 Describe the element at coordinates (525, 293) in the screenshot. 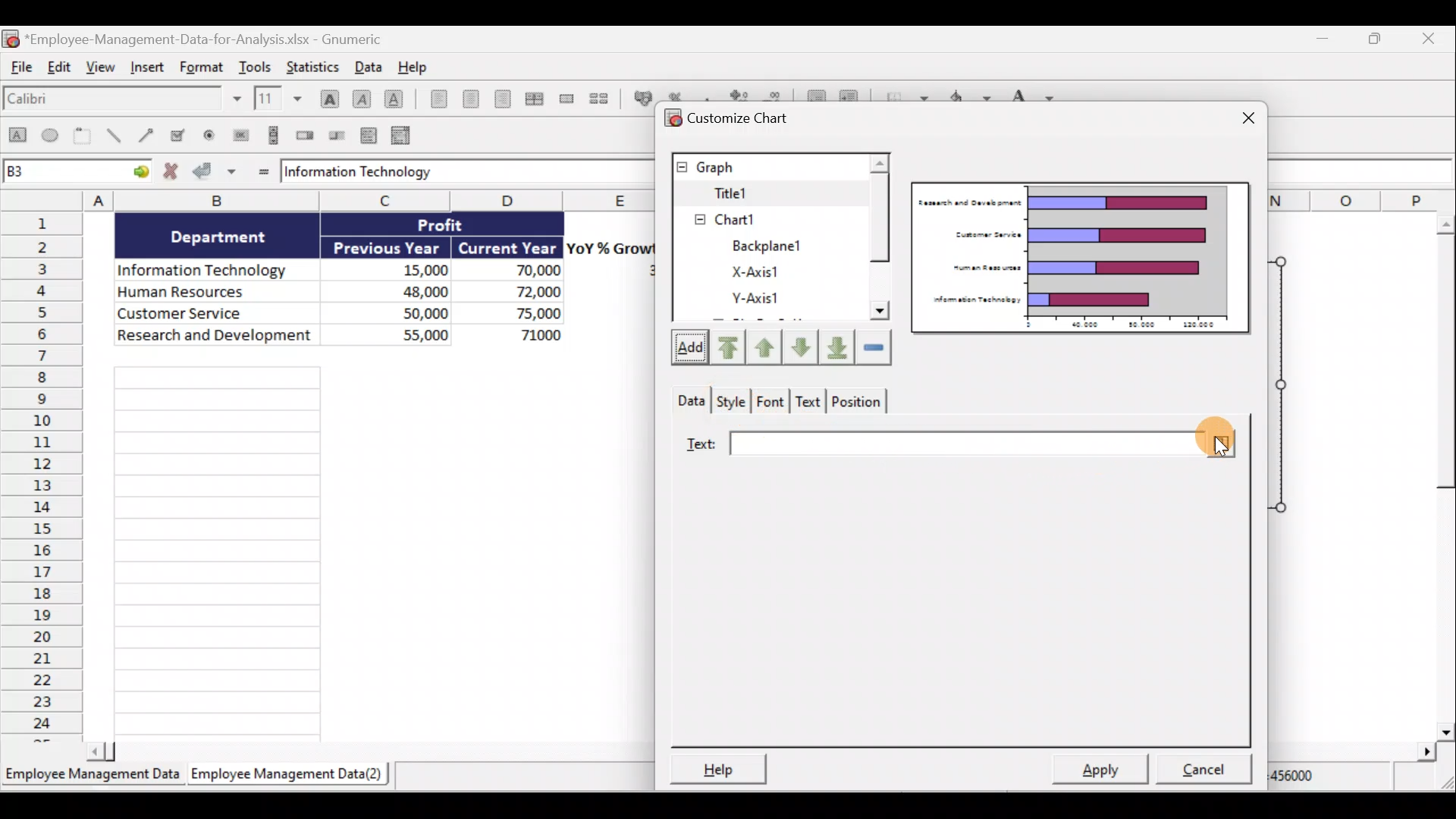

I see `72,000` at that location.